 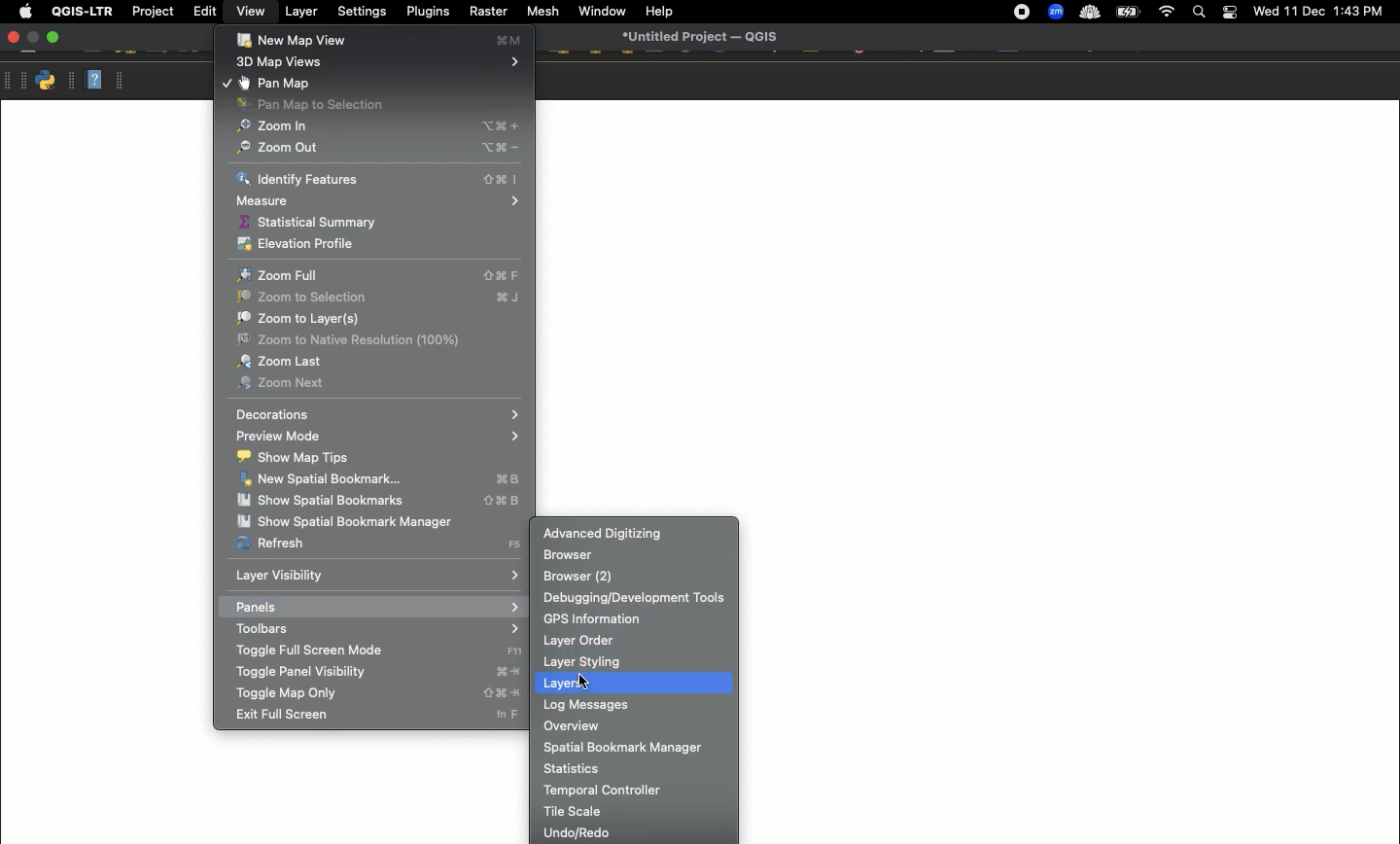 What do you see at coordinates (93, 79) in the screenshot?
I see `Help` at bounding box center [93, 79].